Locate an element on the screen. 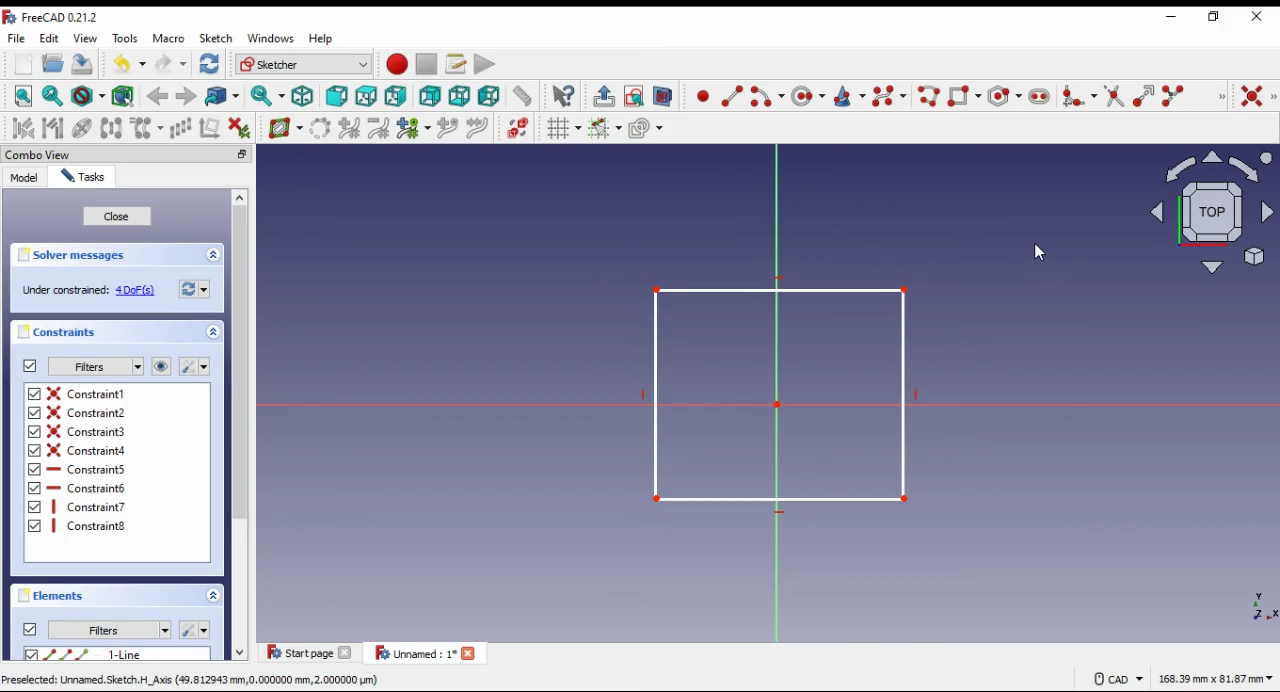 Image resolution: width=1280 pixels, height=692 pixels. create arc is located at coordinates (767, 96).